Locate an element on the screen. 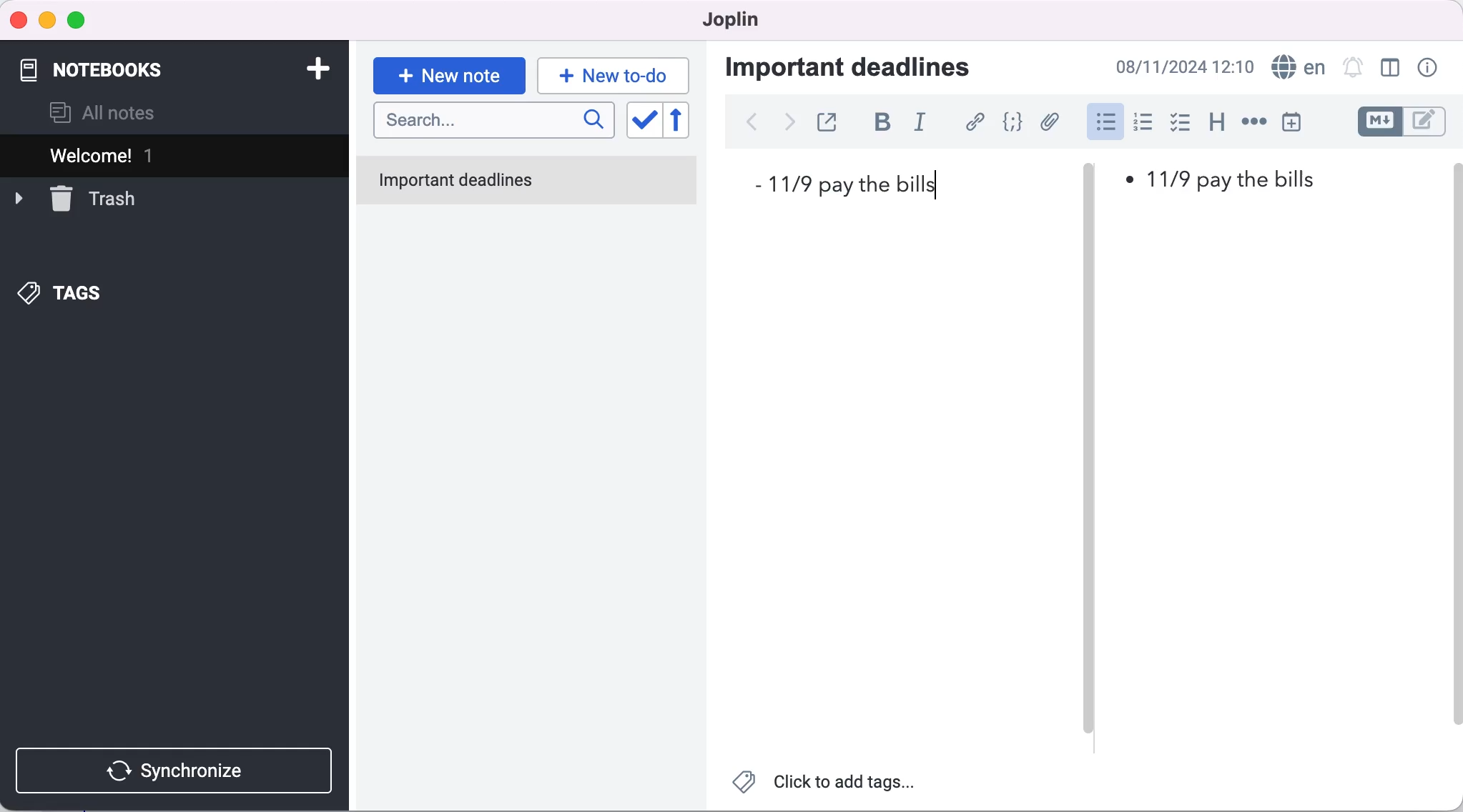 This screenshot has width=1463, height=812. insert time is located at coordinates (1300, 122).